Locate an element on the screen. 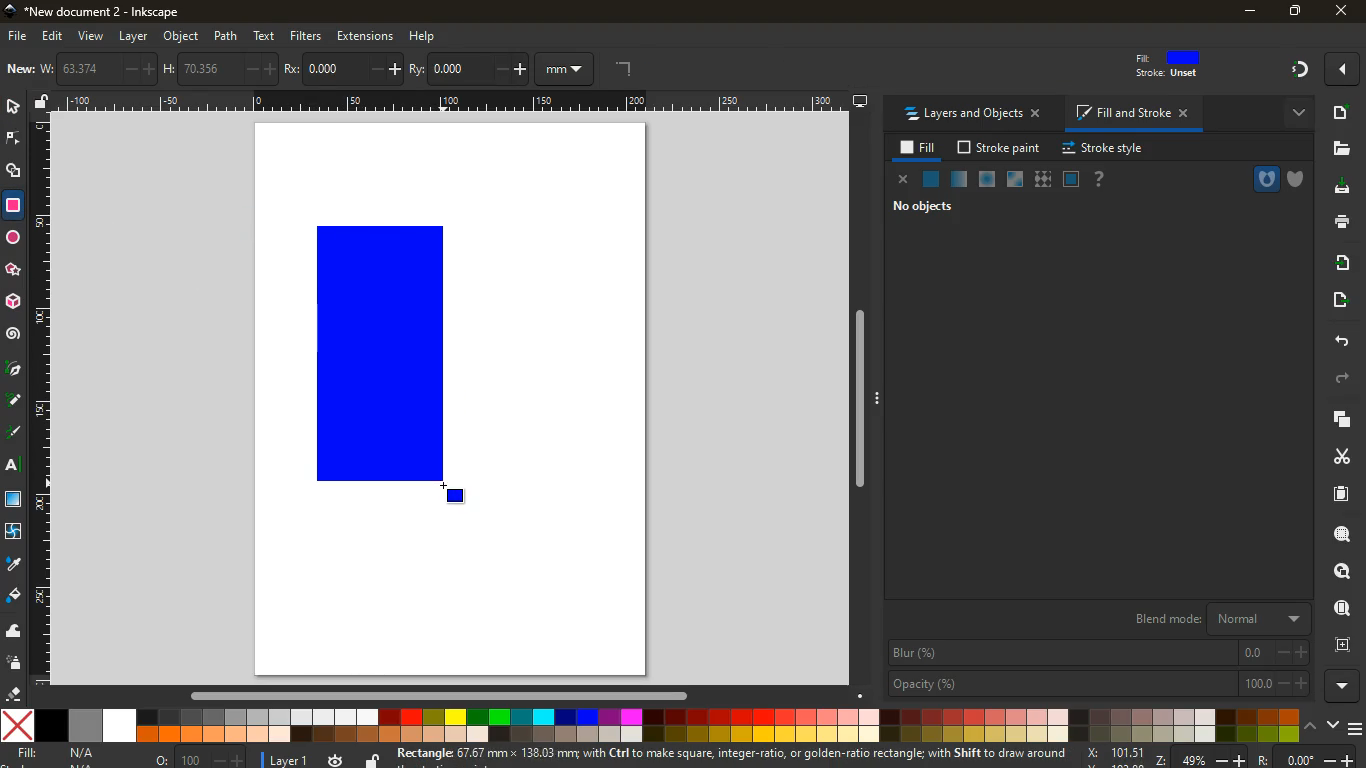 The width and height of the screenshot is (1366, 768). time is located at coordinates (337, 760).